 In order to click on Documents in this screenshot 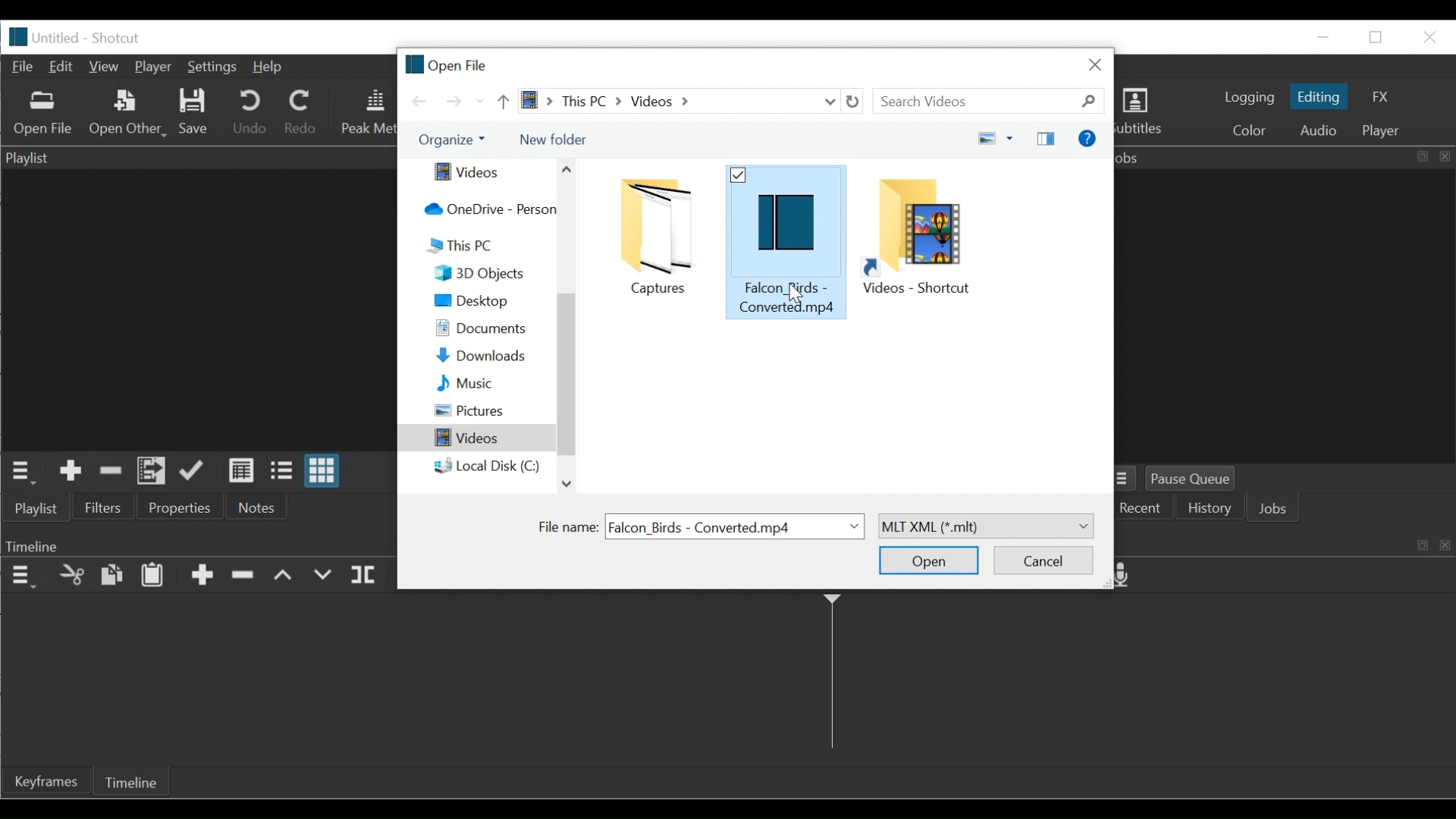, I will do `click(491, 330)`.